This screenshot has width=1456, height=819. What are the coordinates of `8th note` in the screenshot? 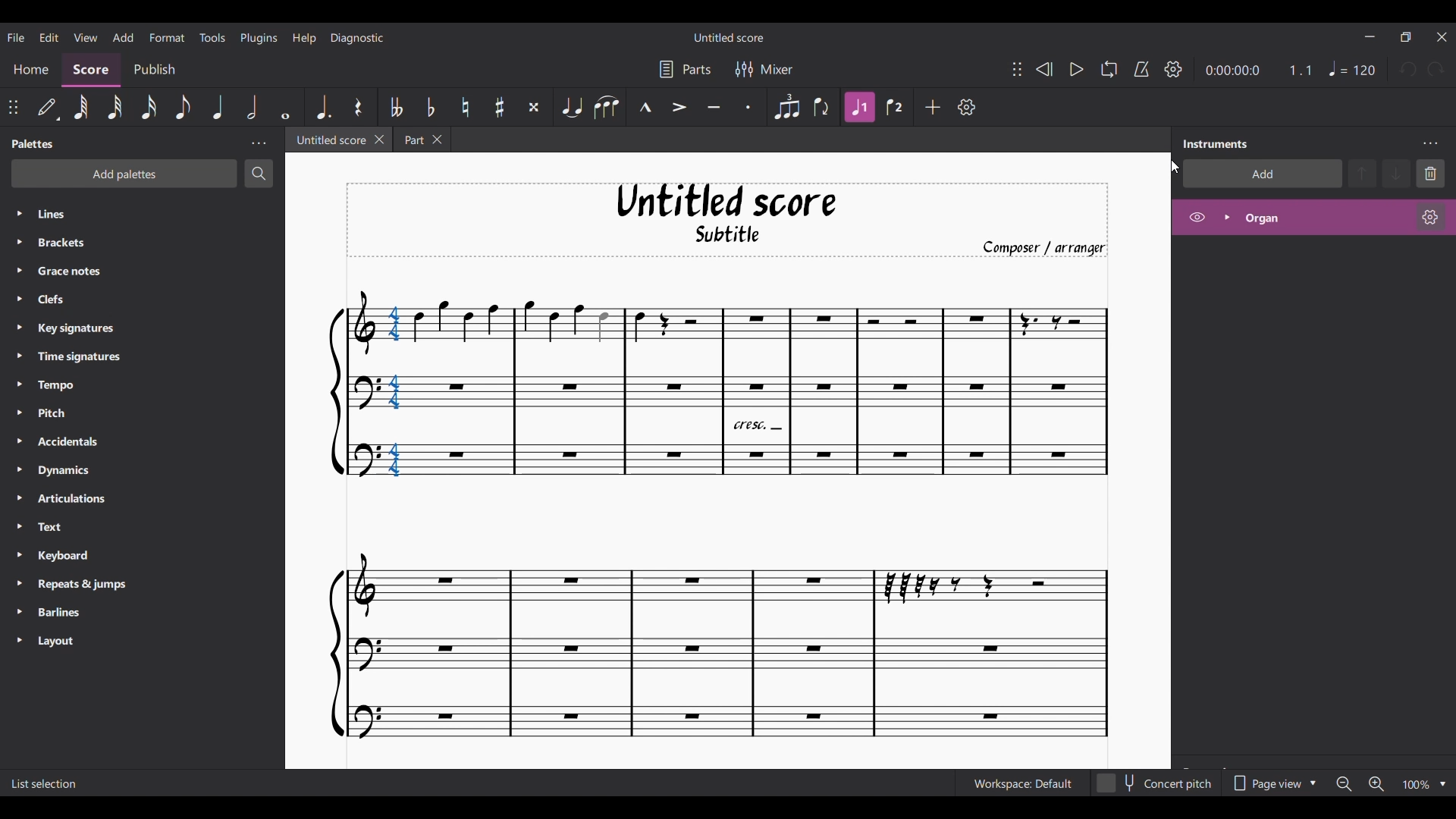 It's located at (182, 108).